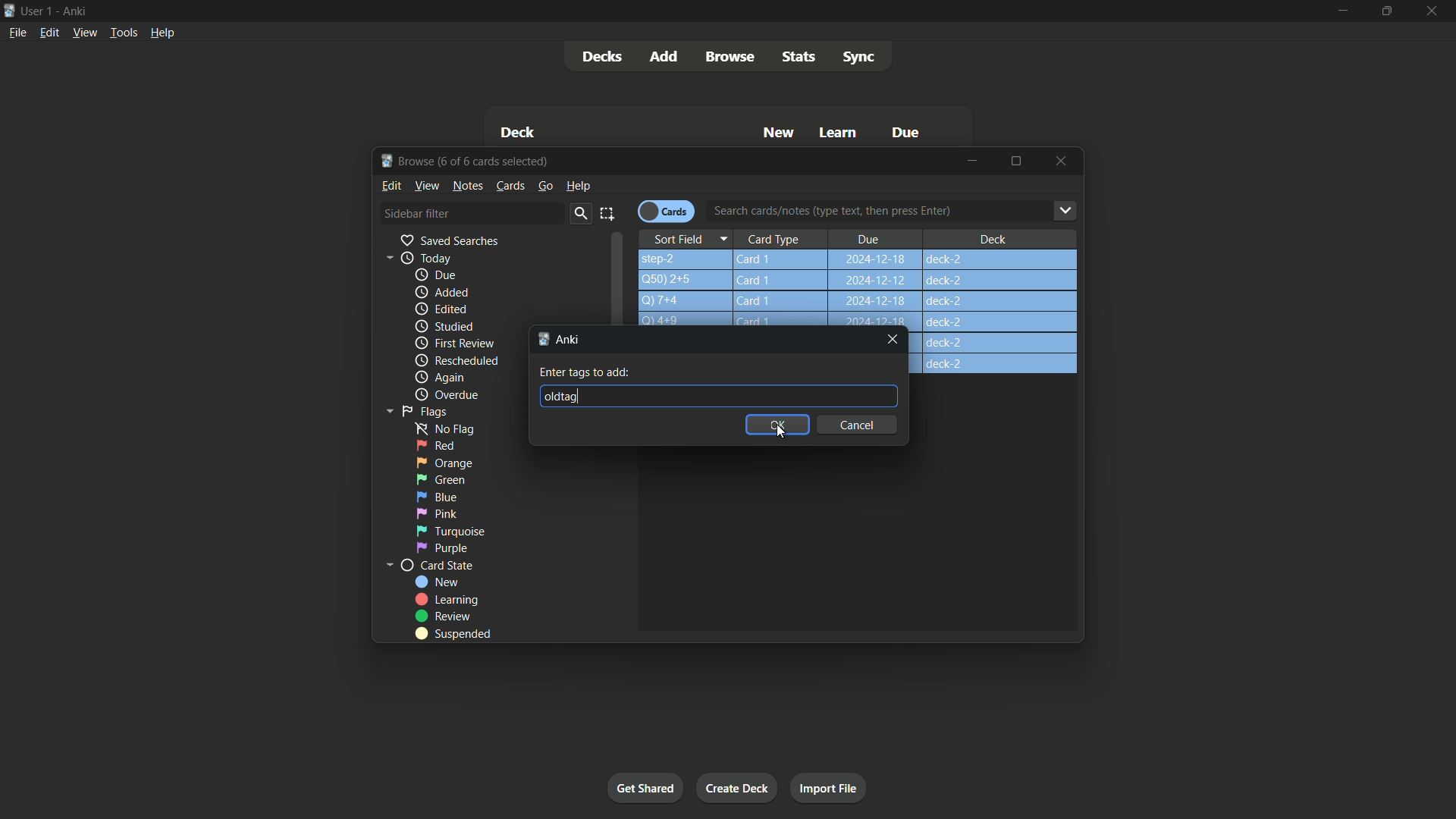 The width and height of the screenshot is (1456, 819). What do you see at coordinates (868, 238) in the screenshot?
I see `Due` at bounding box center [868, 238].